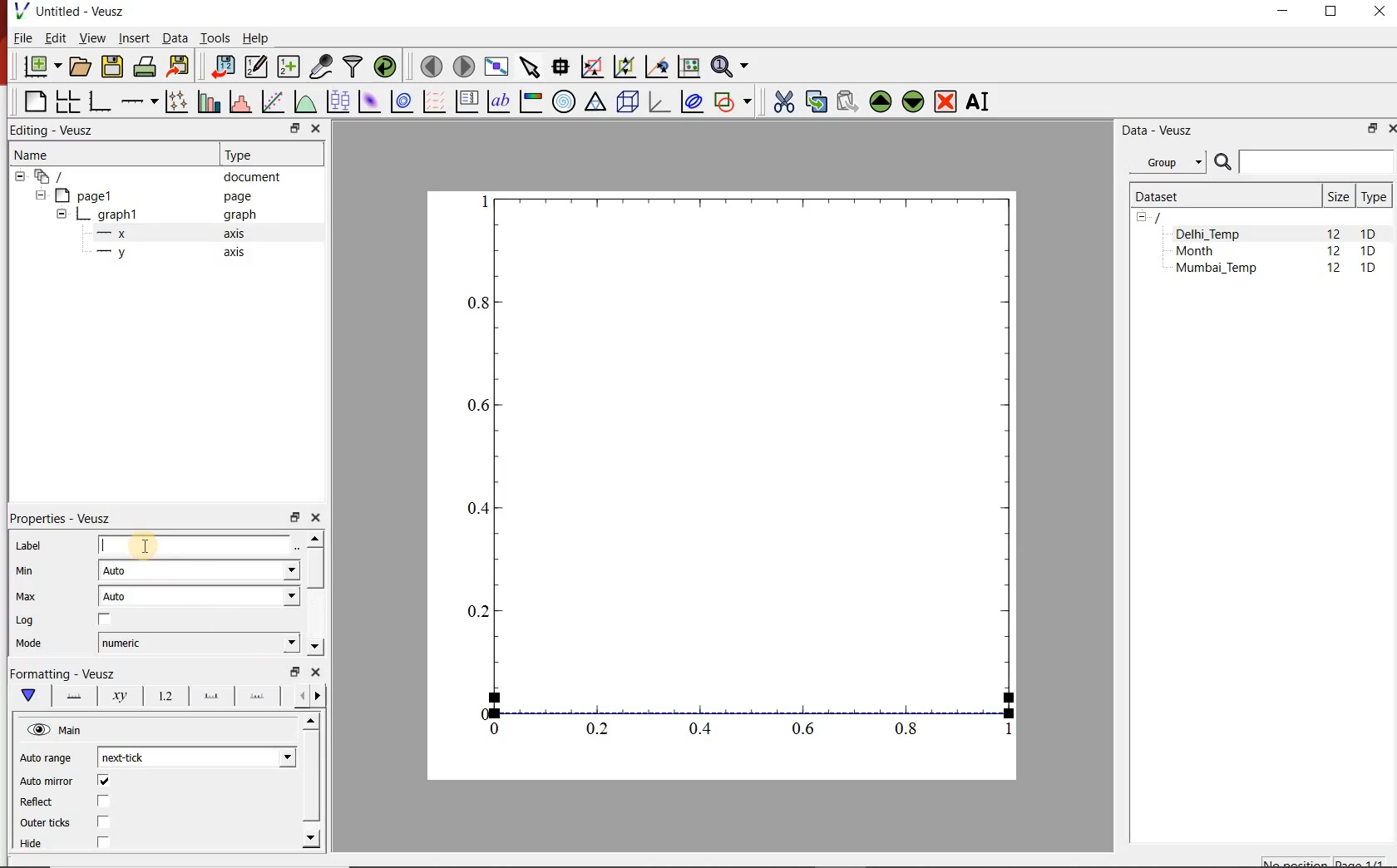 Image resolution: width=1397 pixels, height=868 pixels. I want to click on Ternary graph, so click(595, 103).